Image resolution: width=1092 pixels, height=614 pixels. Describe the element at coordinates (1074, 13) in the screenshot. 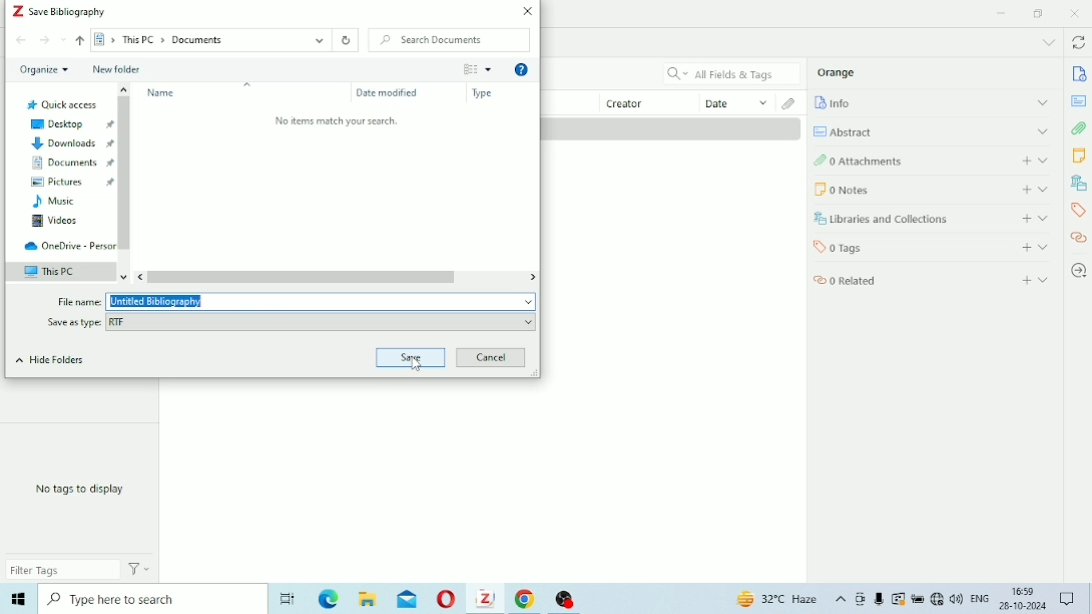

I see `Close` at that location.